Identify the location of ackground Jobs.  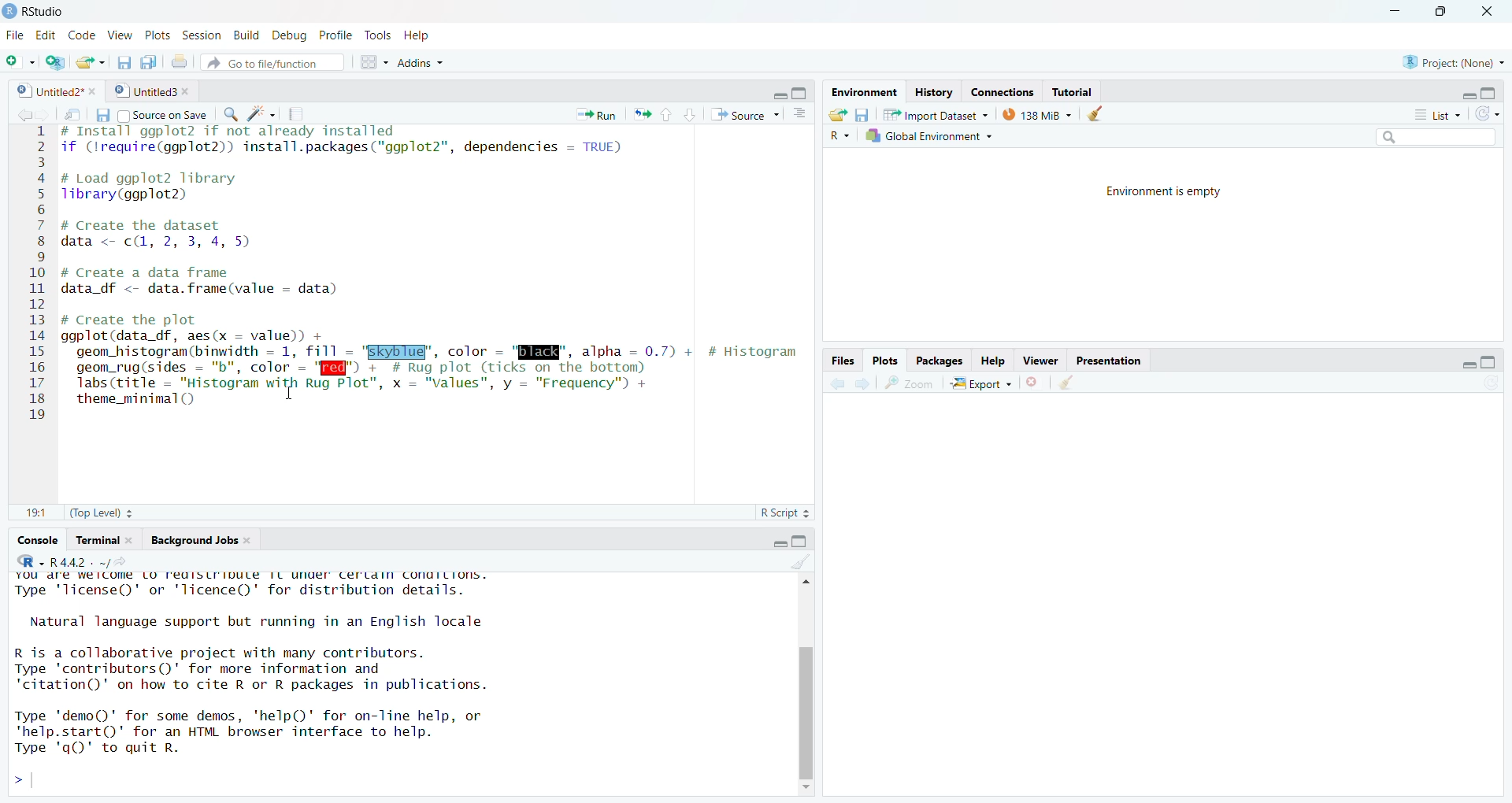
(195, 542).